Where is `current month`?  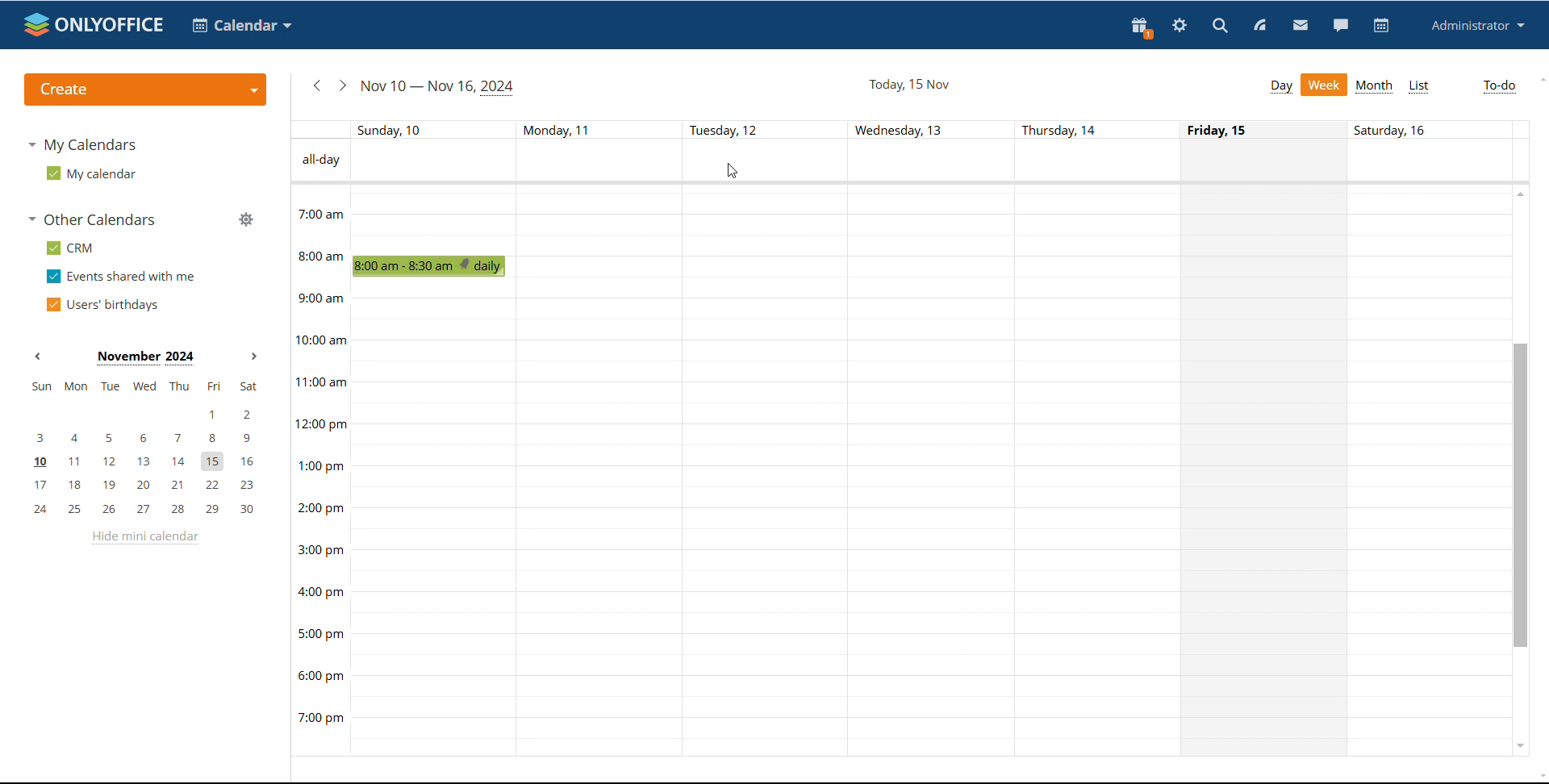 current month is located at coordinates (145, 358).